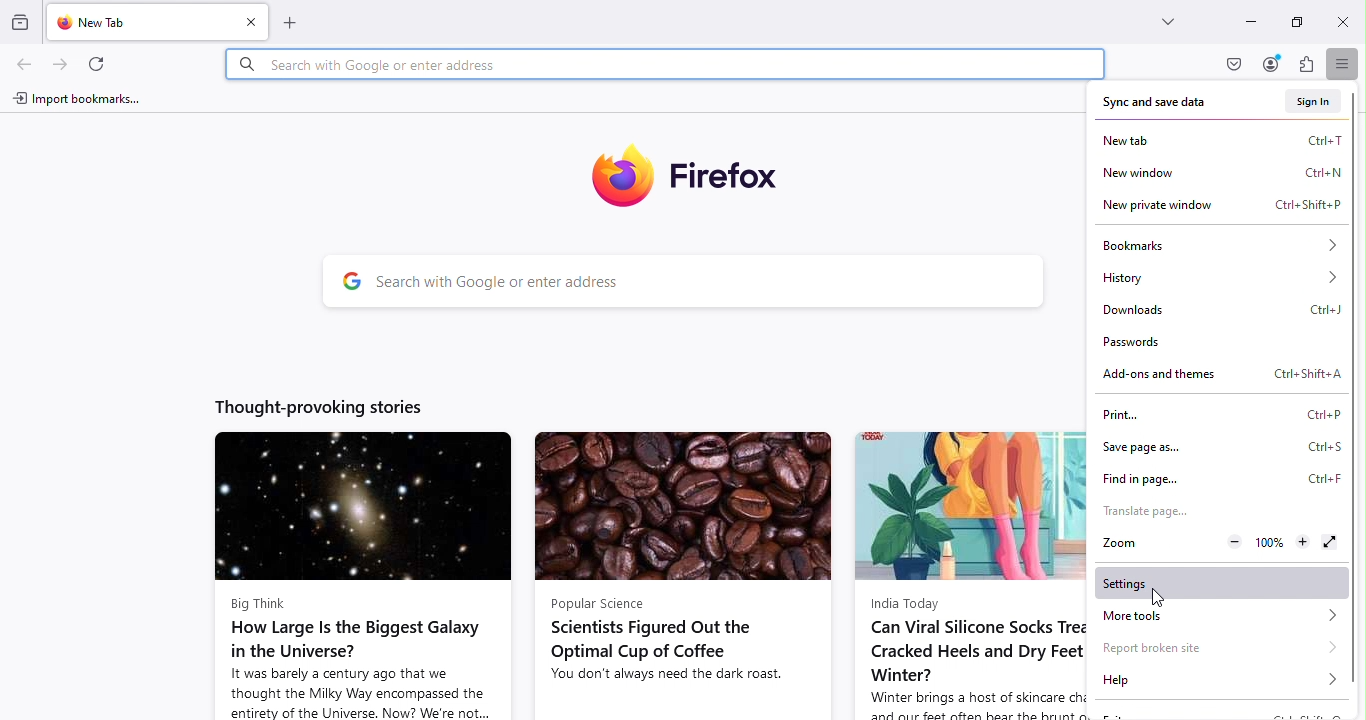 This screenshot has width=1366, height=720. What do you see at coordinates (1327, 542) in the screenshot?
I see `Display window in full screen` at bounding box center [1327, 542].